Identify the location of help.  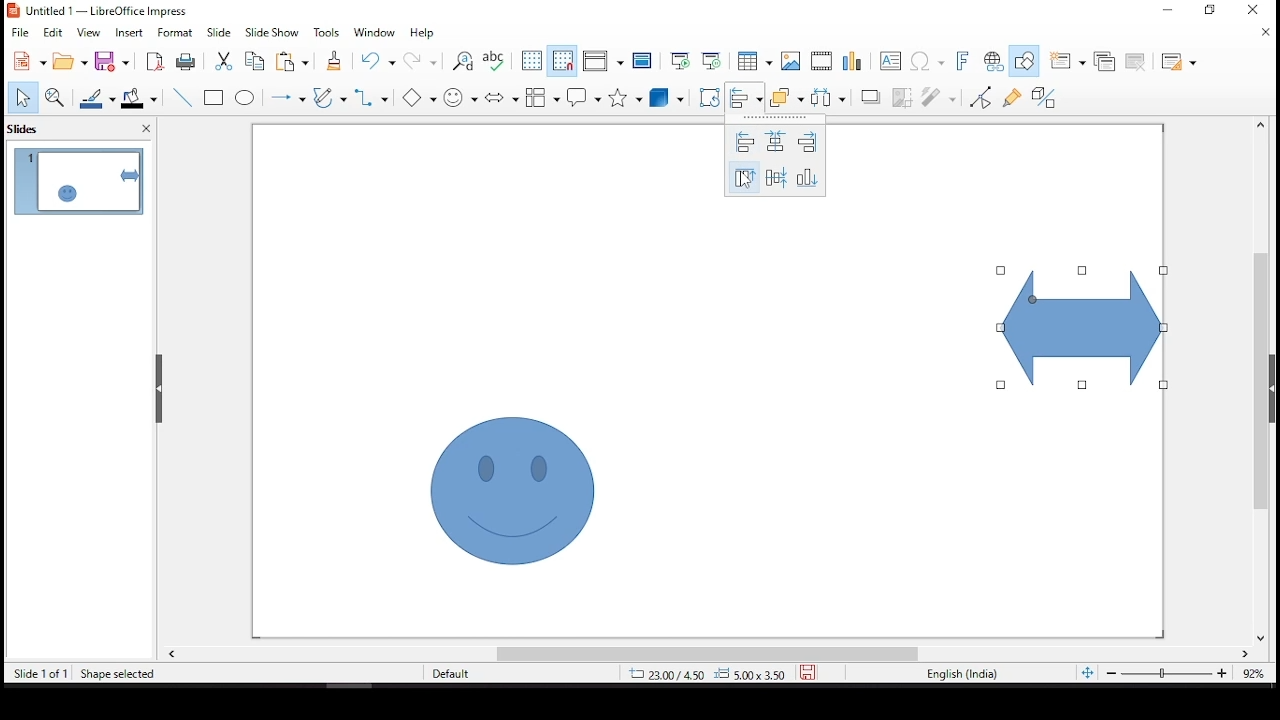
(423, 34).